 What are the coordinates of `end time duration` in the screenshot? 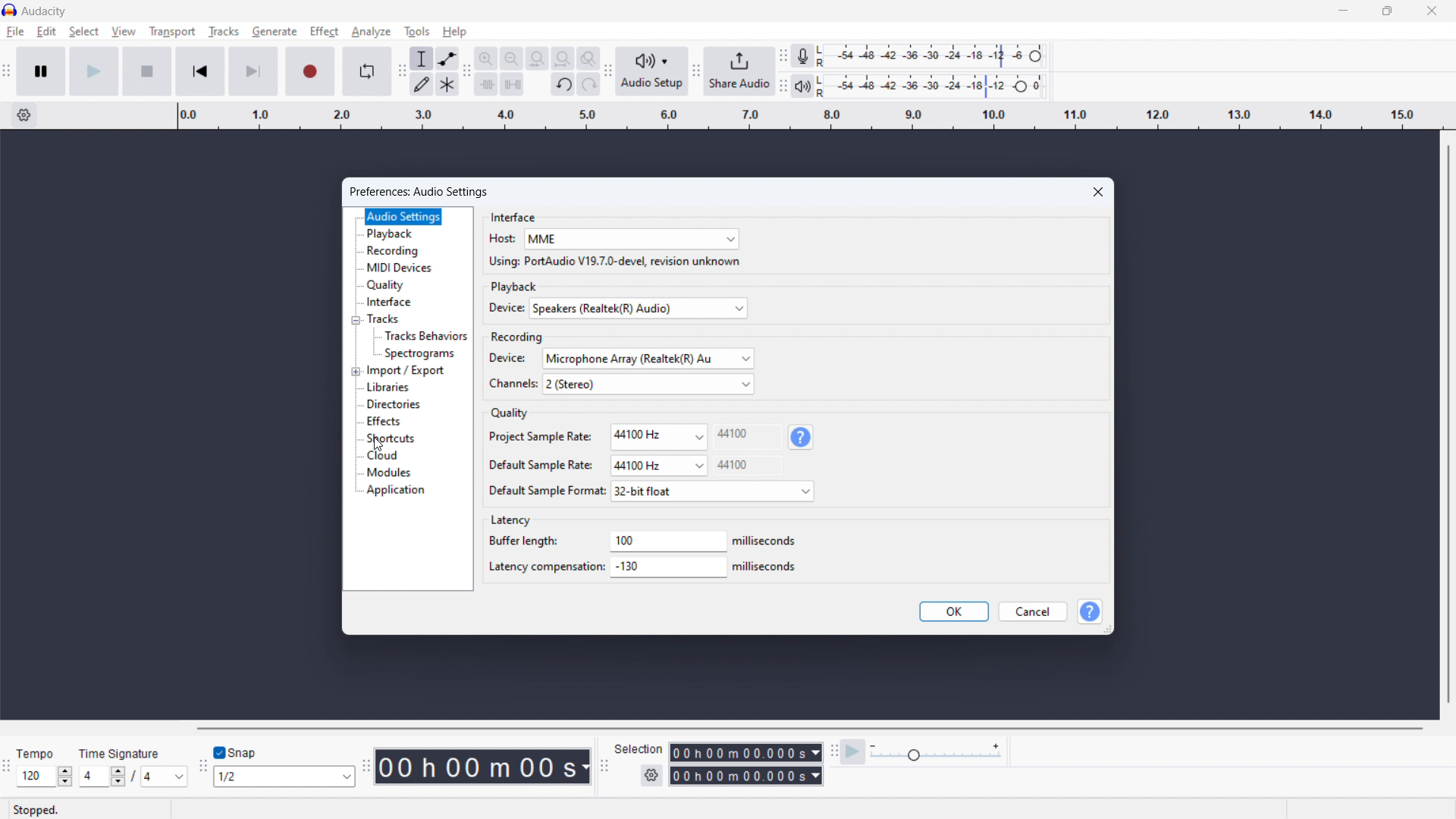 It's located at (736, 776).